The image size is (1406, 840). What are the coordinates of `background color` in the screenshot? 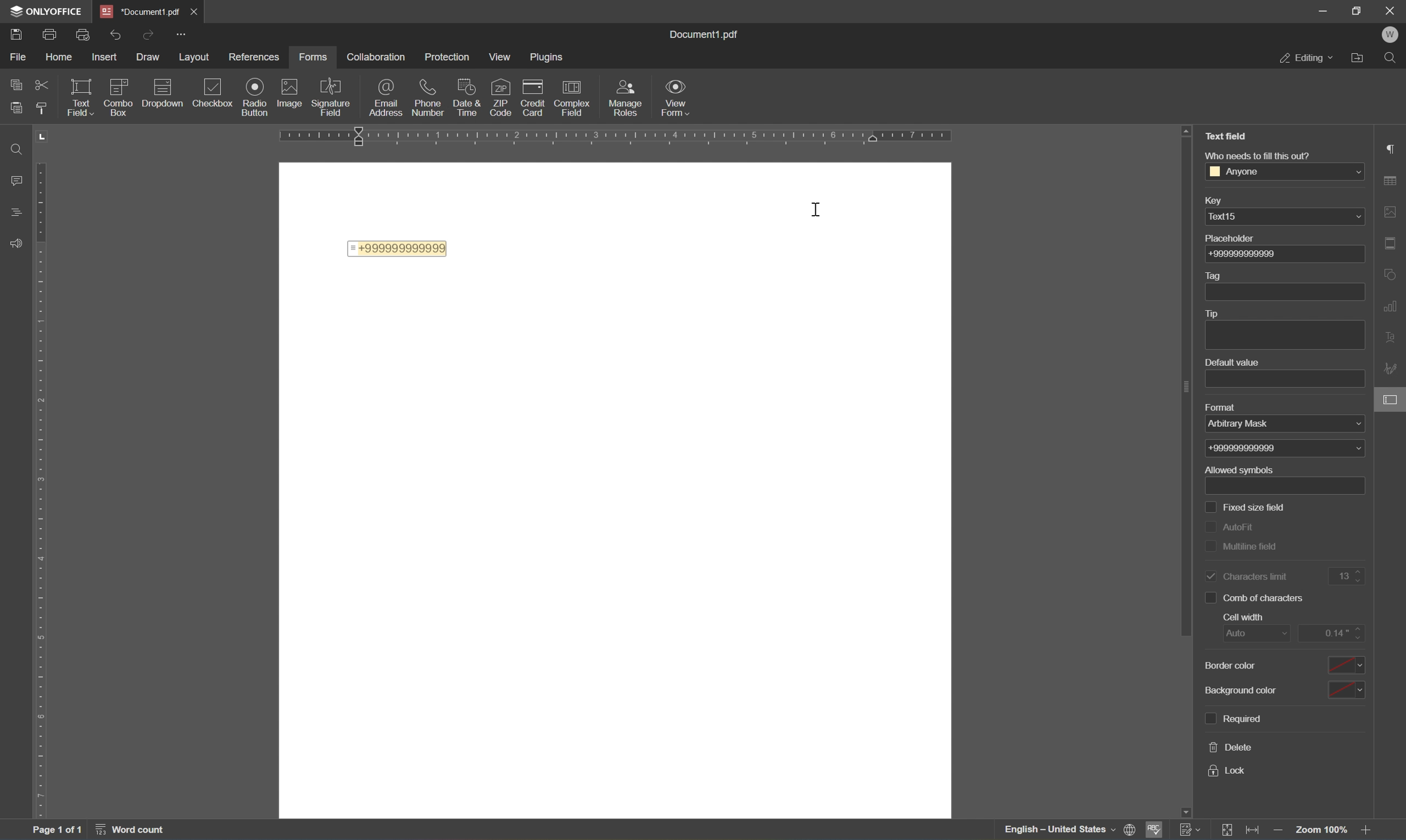 It's located at (1286, 691).